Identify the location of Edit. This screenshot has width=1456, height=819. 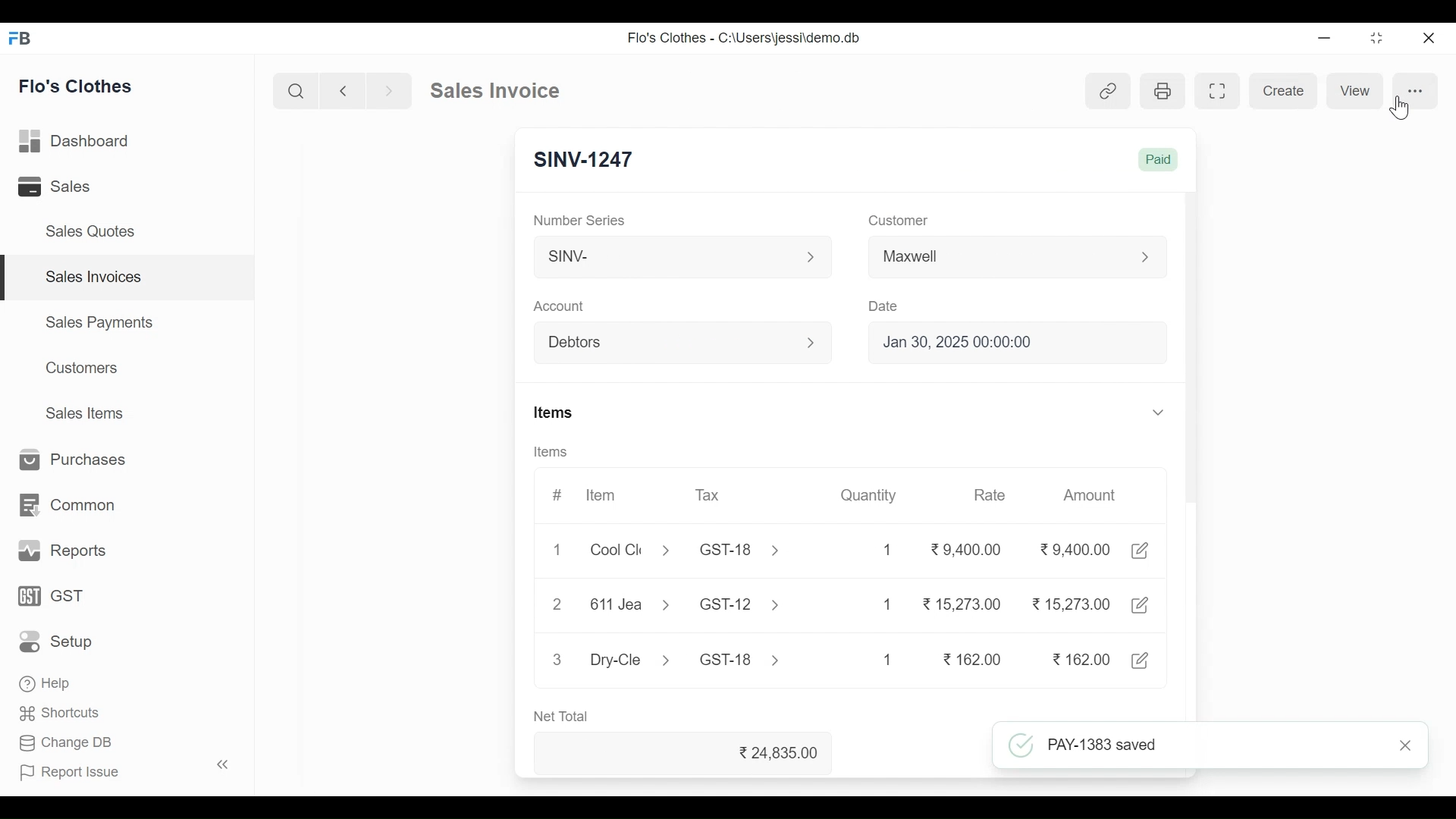
(1142, 603).